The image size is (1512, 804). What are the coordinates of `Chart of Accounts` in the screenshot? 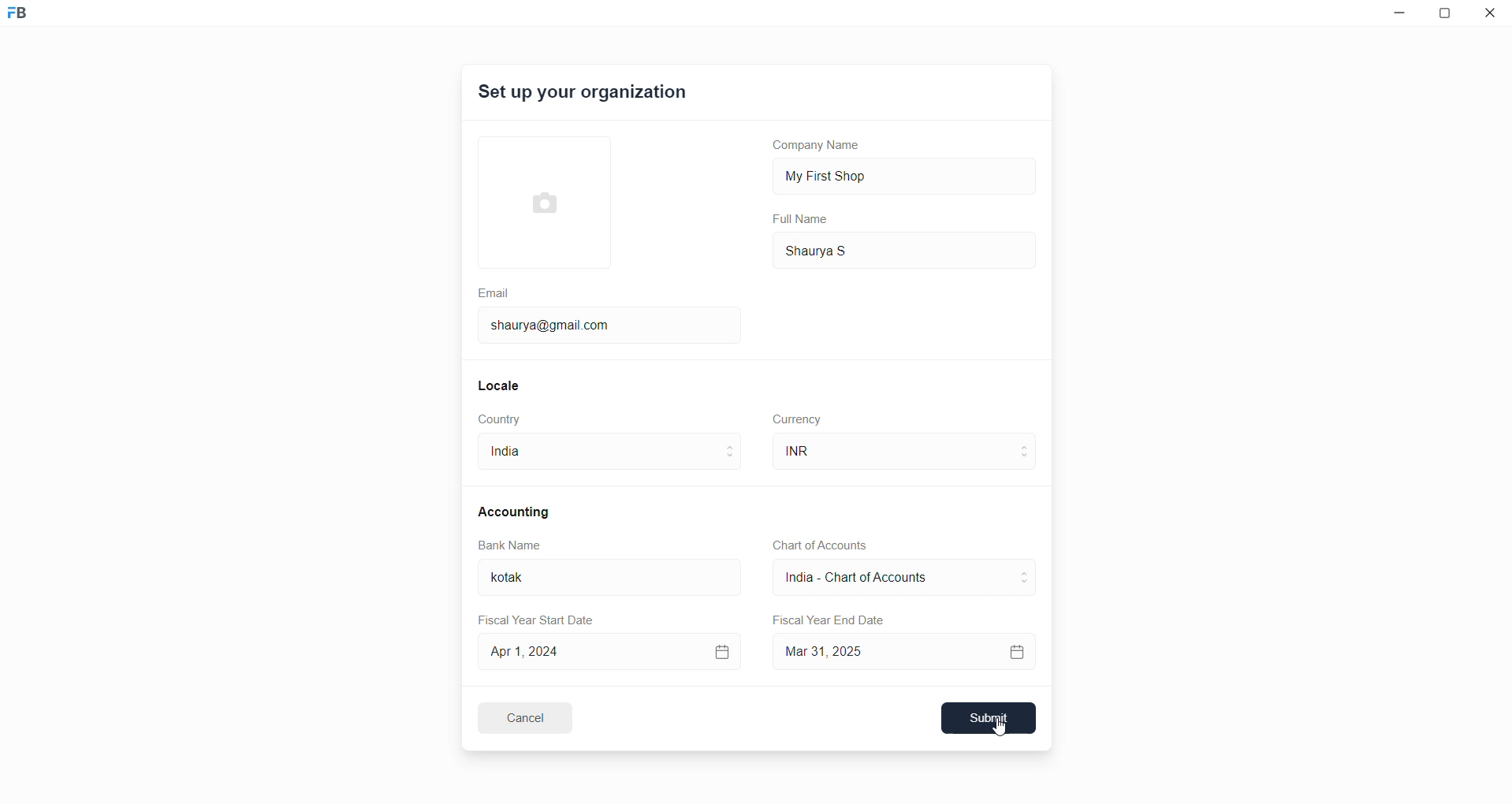 It's located at (815, 545).